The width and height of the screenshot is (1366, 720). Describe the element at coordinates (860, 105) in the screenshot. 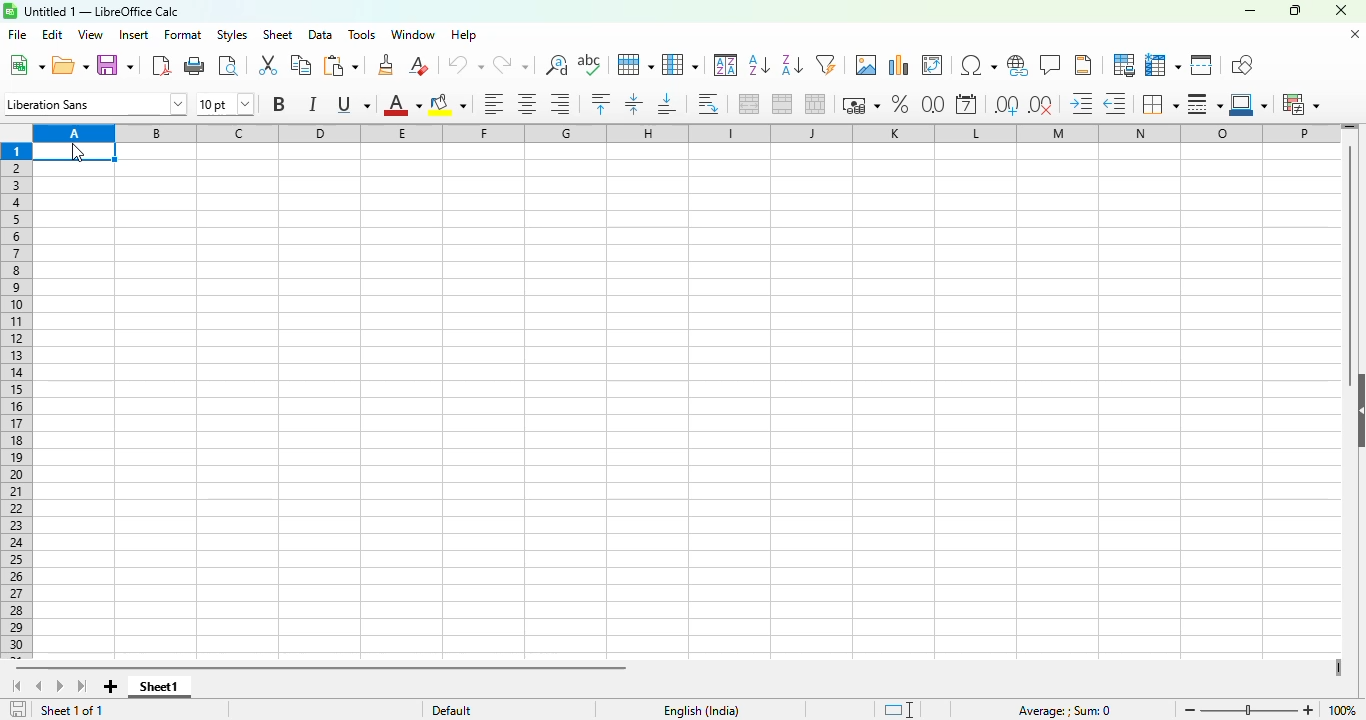

I see `format as currency` at that location.